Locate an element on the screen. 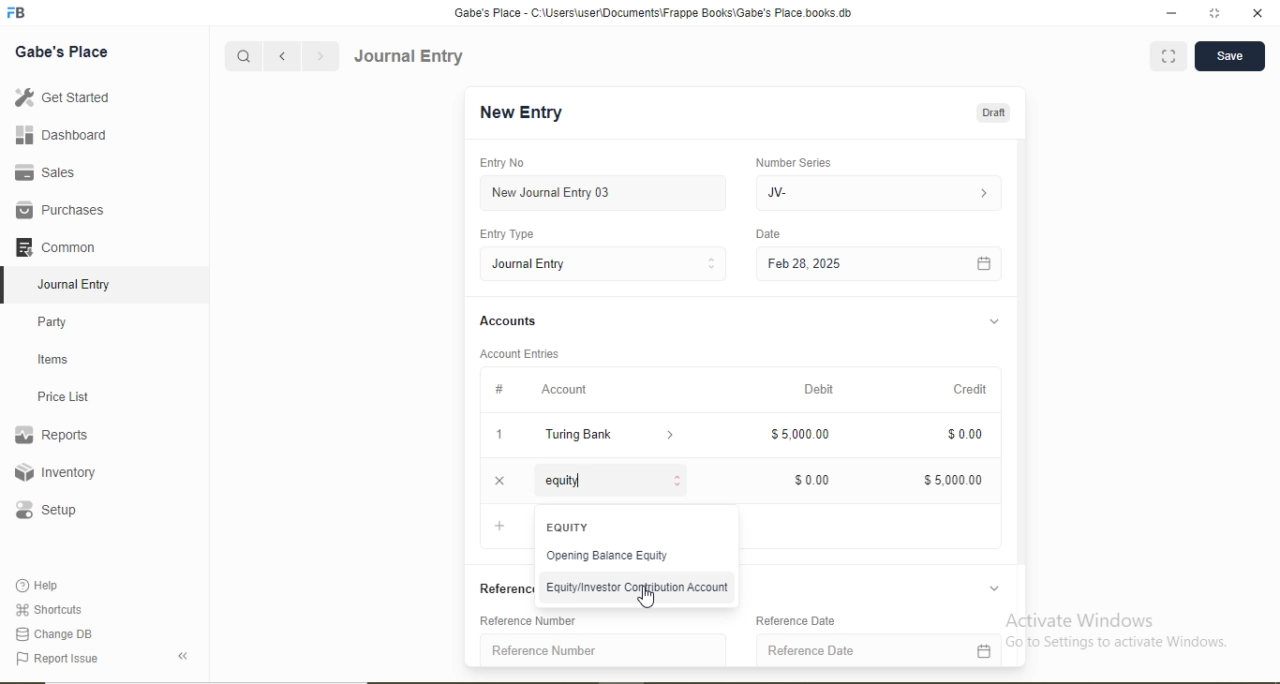  Change DB is located at coordinates (52, 635).